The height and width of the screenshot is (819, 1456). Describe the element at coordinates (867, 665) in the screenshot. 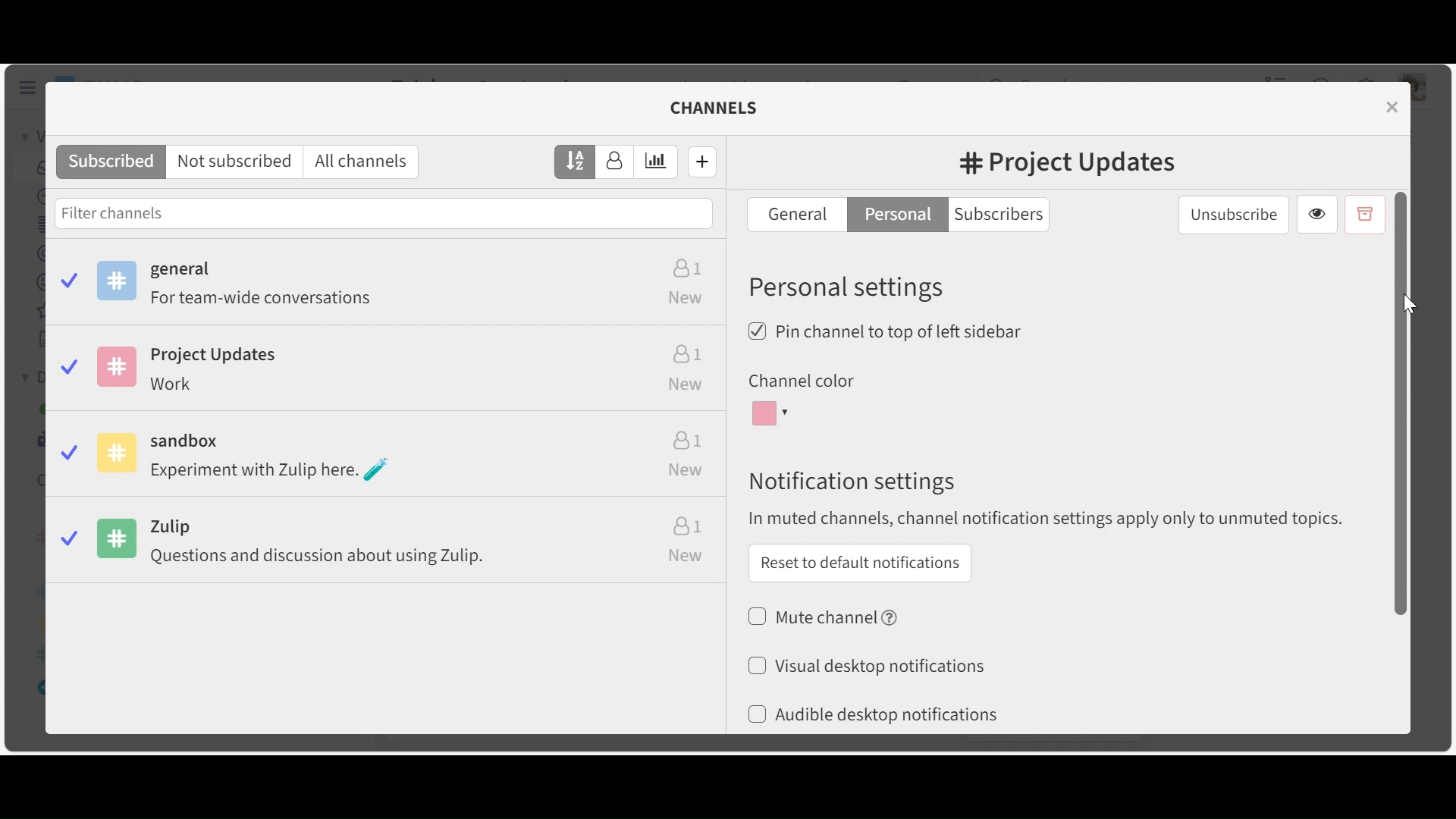

I see `(un)select desktop notifications` at that location.